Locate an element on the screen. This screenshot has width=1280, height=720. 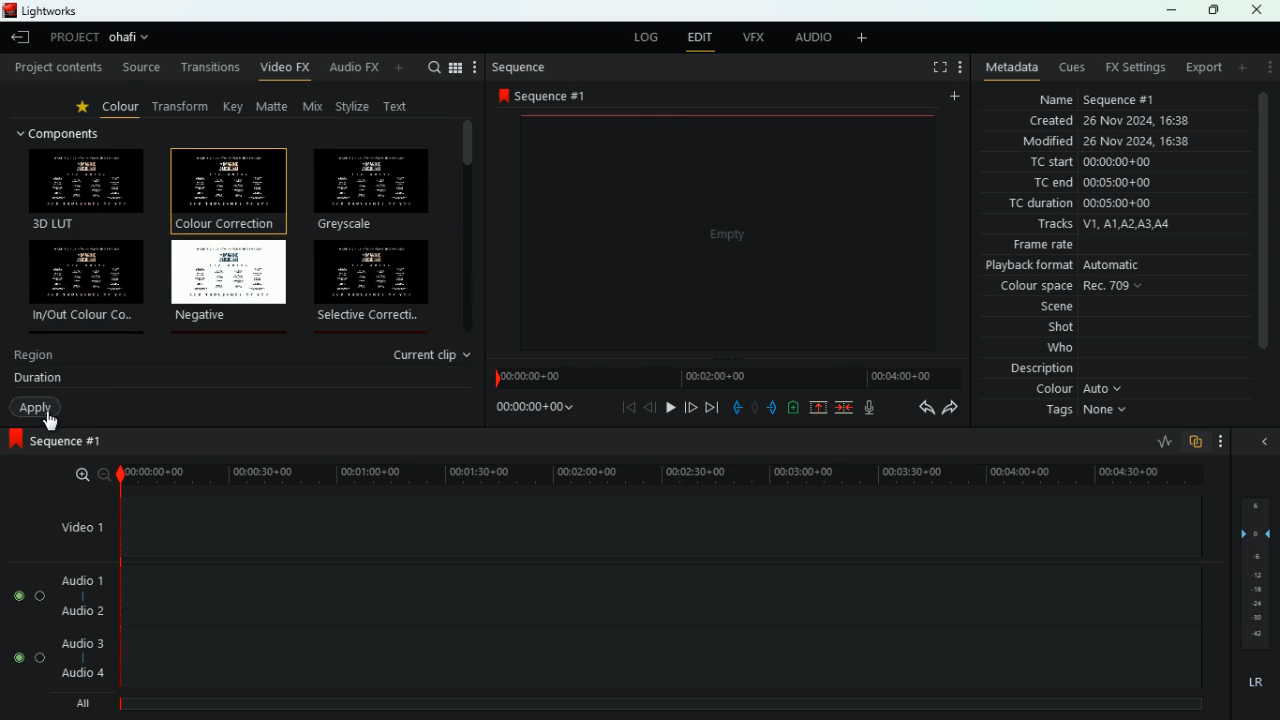
scroll bar is located at coordinates (1265, 235).